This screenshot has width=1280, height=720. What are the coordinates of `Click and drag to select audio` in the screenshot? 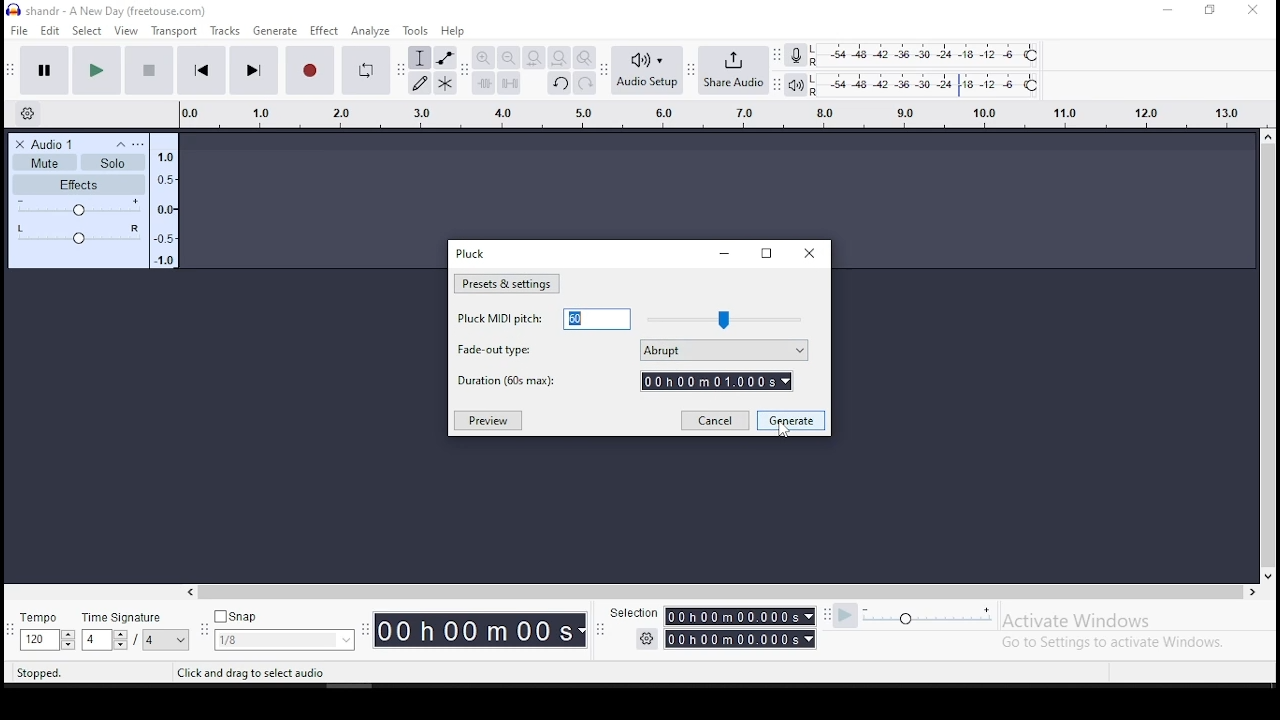 It's located at (251, 673).